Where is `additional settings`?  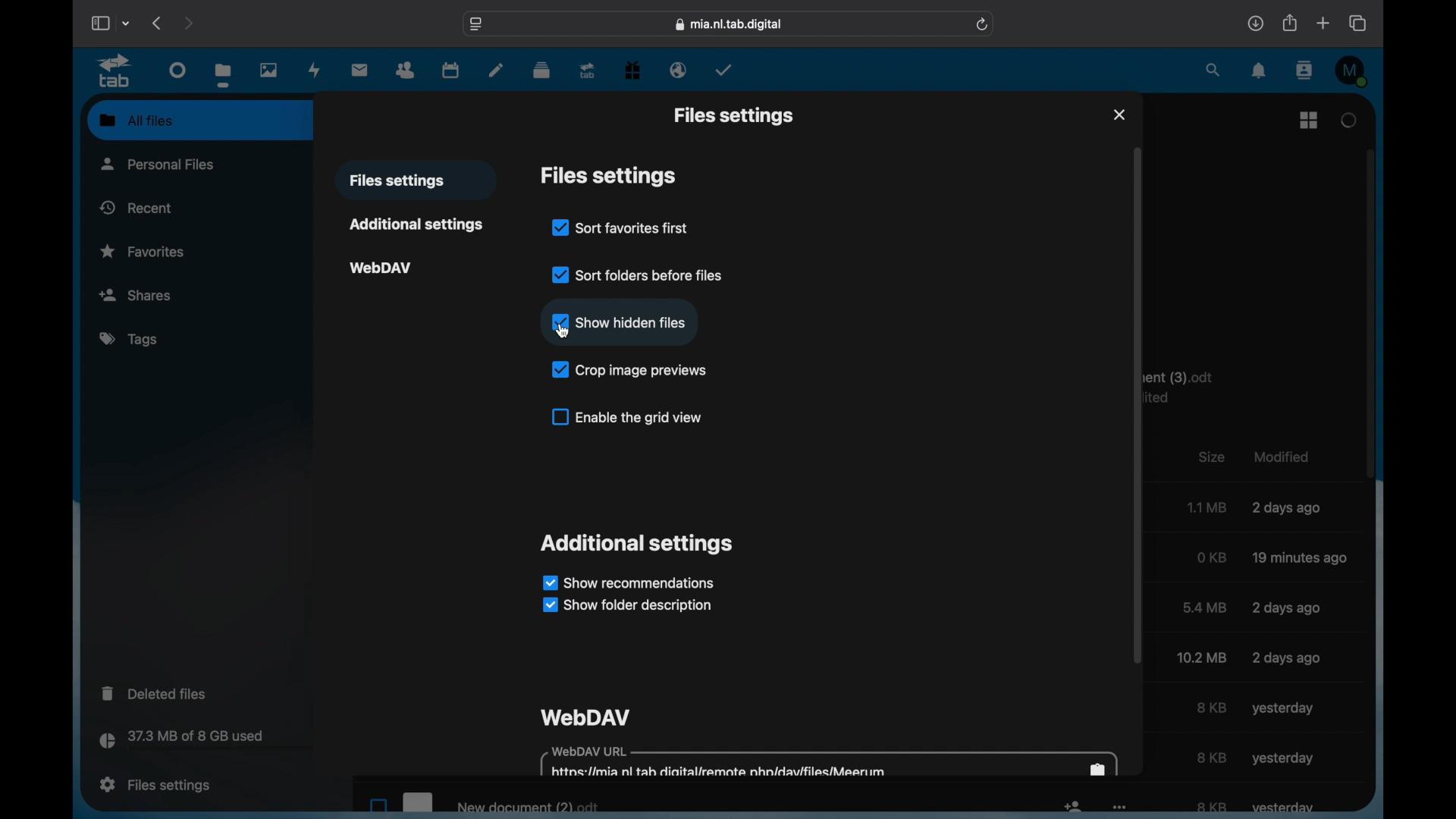
additional settings is located at coordinates (417, 224).